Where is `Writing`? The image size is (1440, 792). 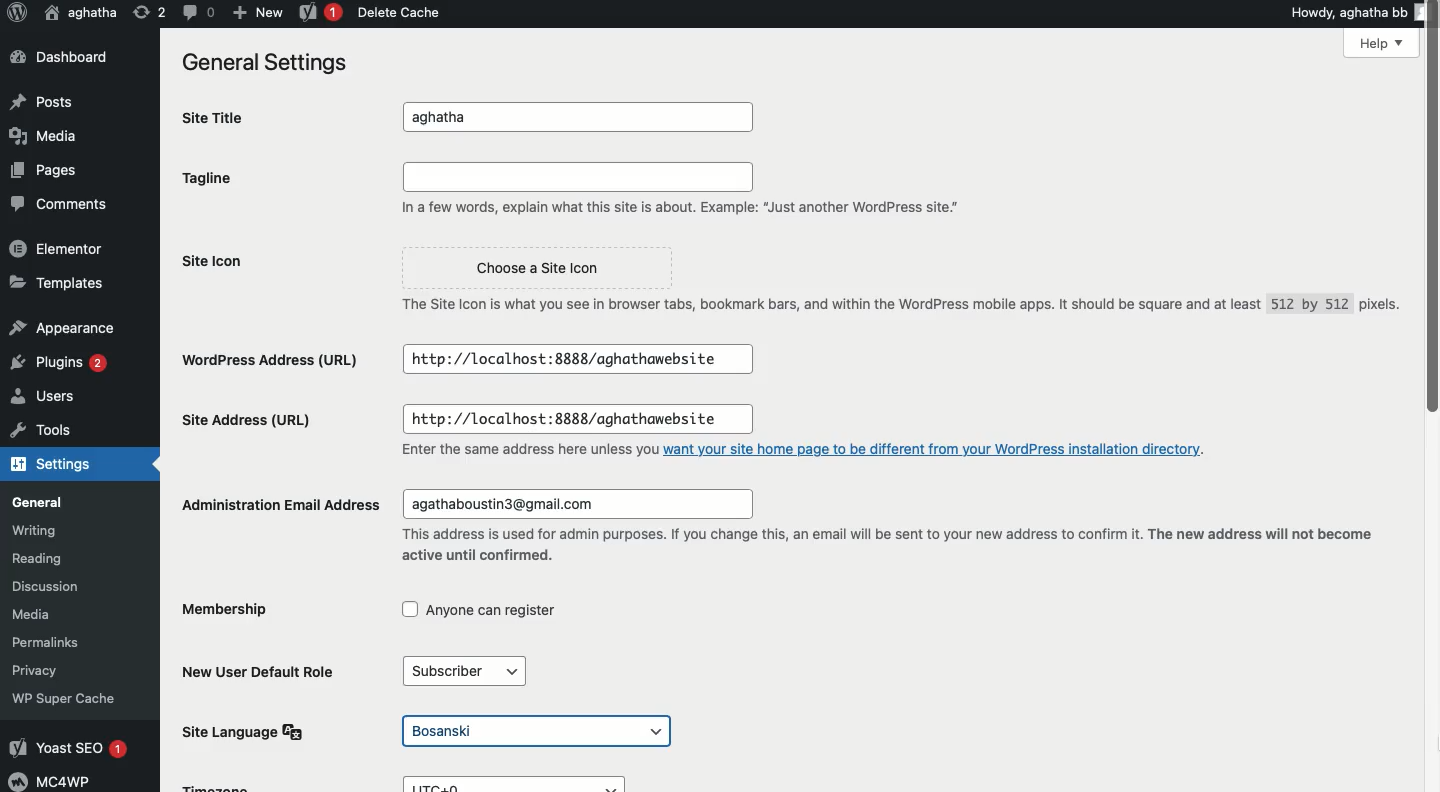
Writing is located at coordinates (45, 530).